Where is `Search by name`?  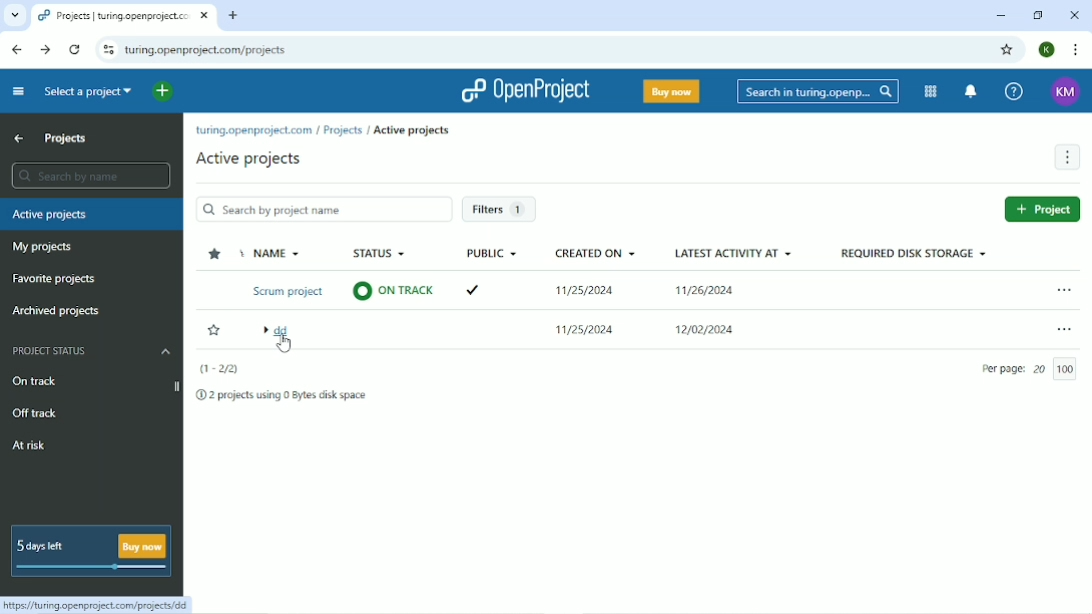
Search by name is located at coordinates (90, 175).